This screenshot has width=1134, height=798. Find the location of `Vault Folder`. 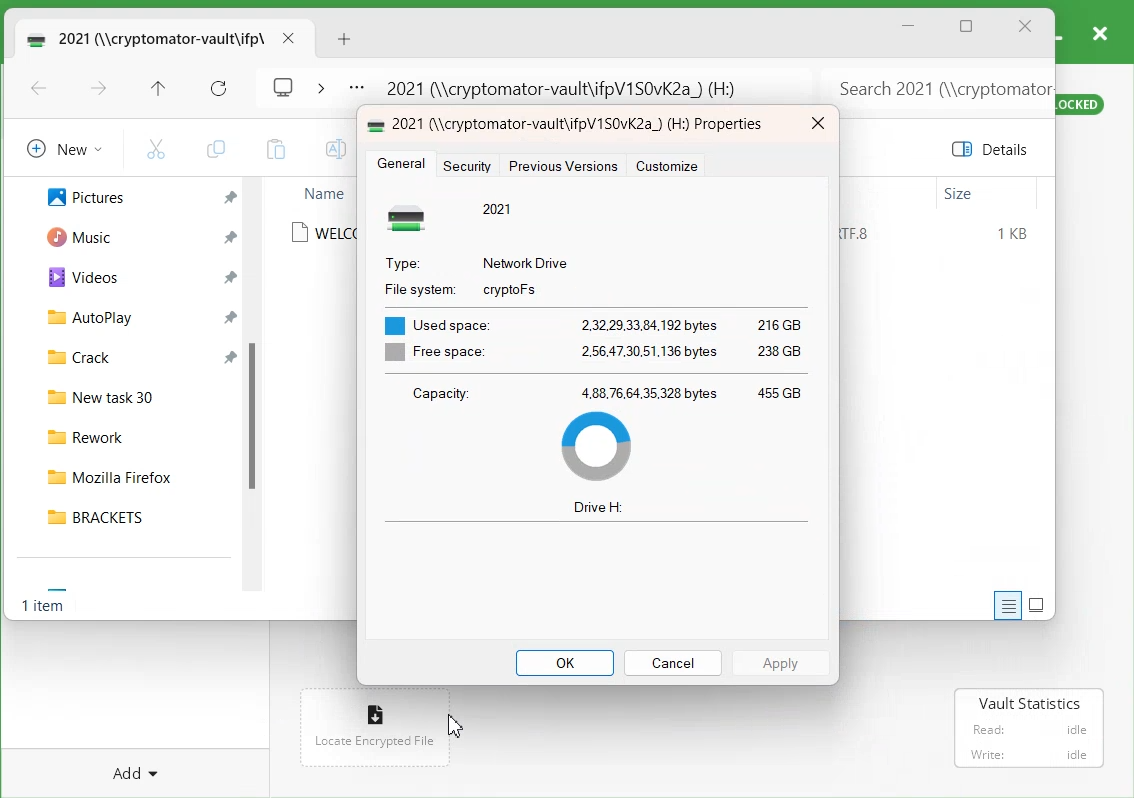

Vault Folder is located at coordinates (142, 38).